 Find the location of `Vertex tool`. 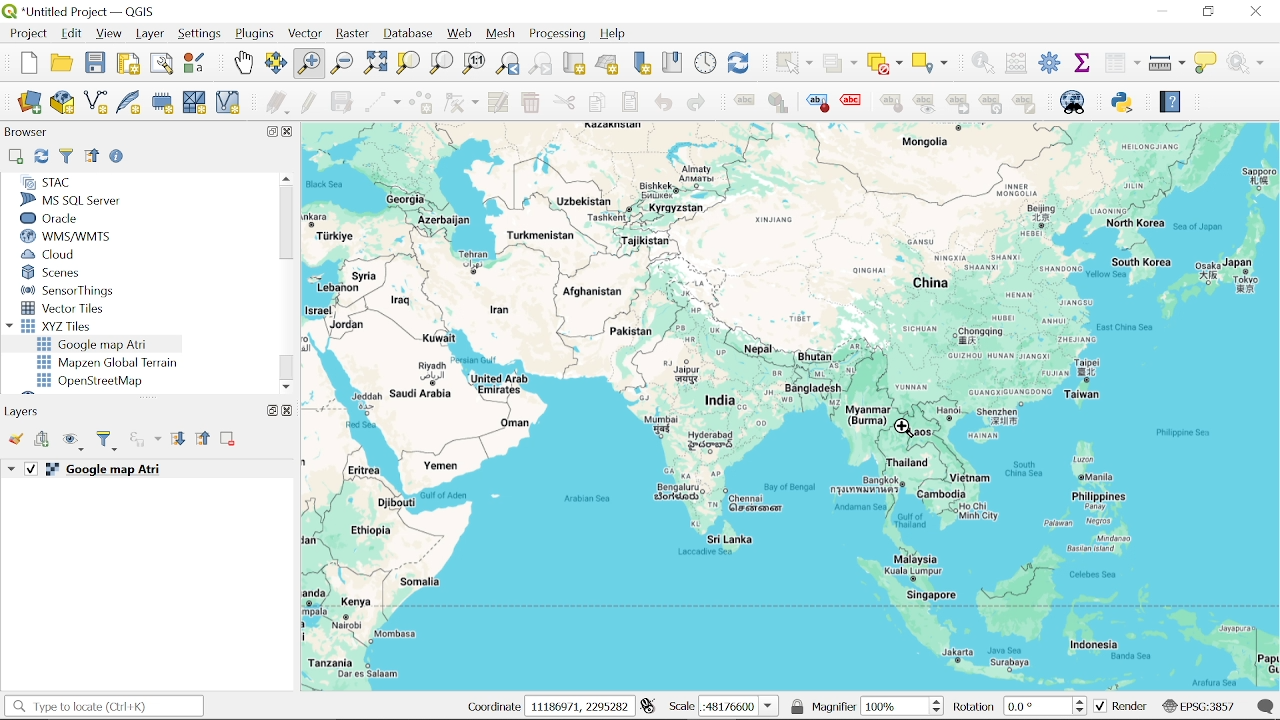

Vertex tool is located at coordinates (461, 104).